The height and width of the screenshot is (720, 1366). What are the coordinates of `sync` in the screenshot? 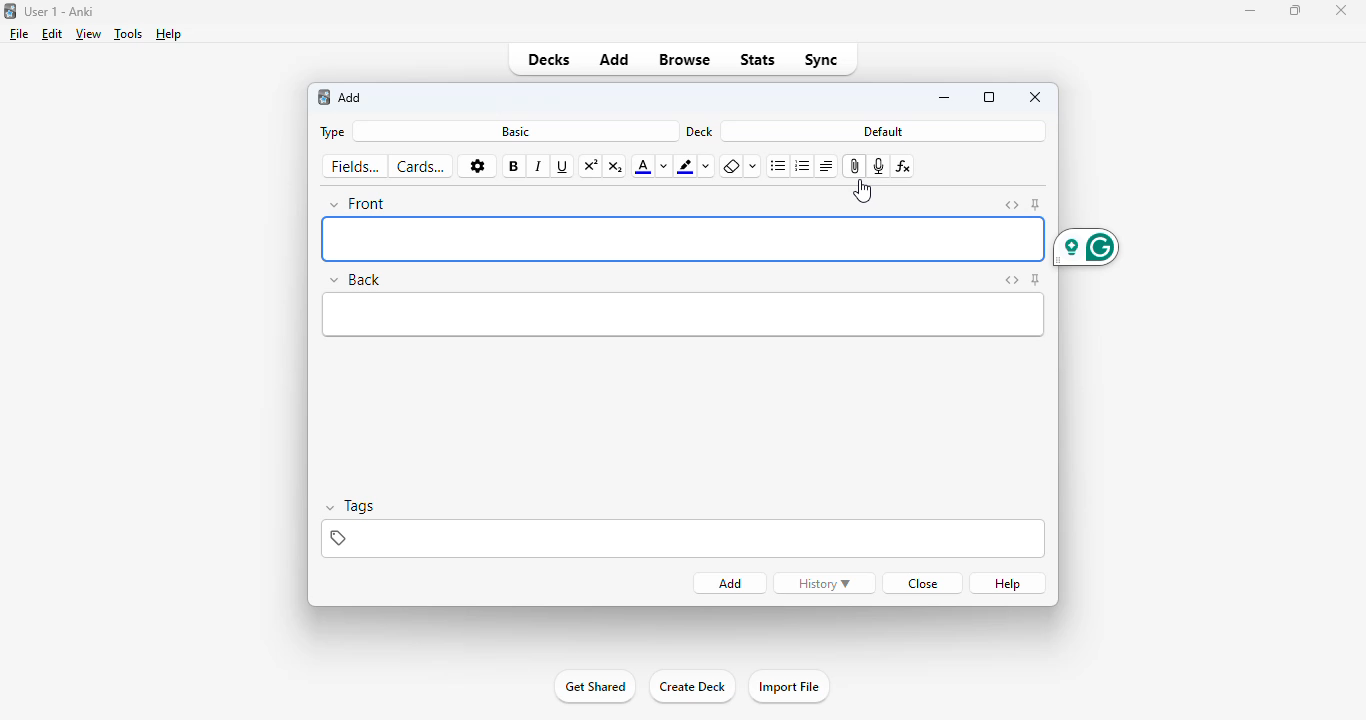 It's located at (820, 60).